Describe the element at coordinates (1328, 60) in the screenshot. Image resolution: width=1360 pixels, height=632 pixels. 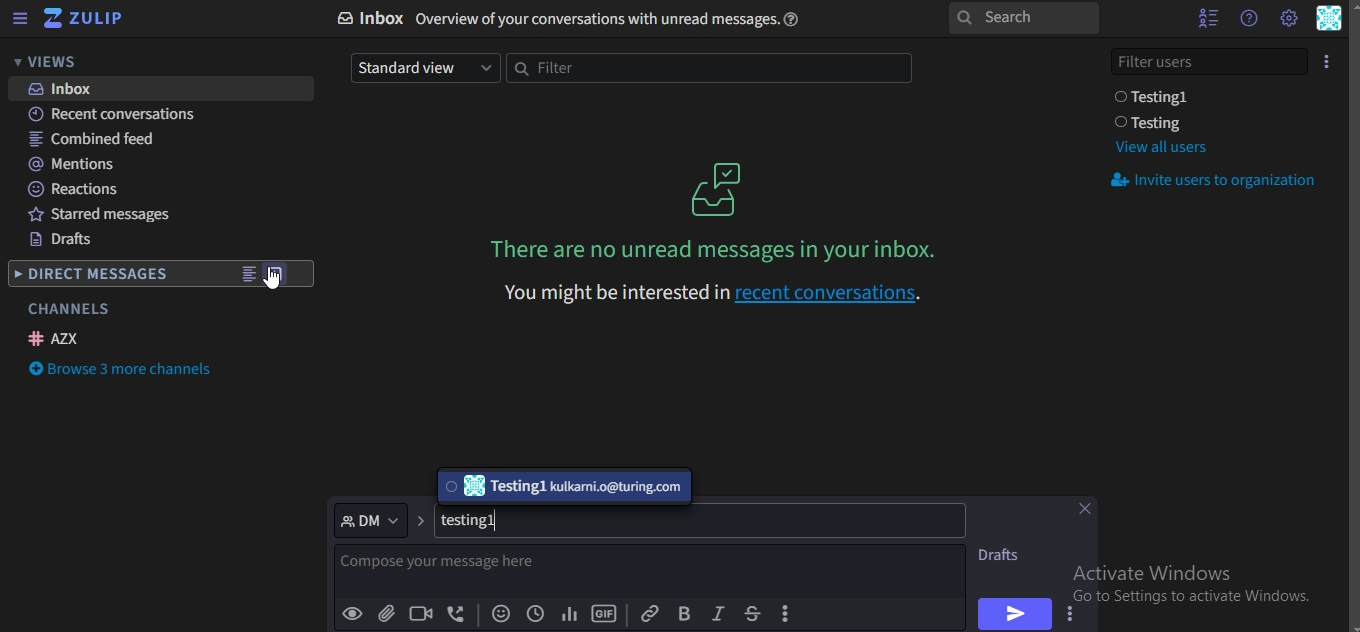
I see `icon` at that location.